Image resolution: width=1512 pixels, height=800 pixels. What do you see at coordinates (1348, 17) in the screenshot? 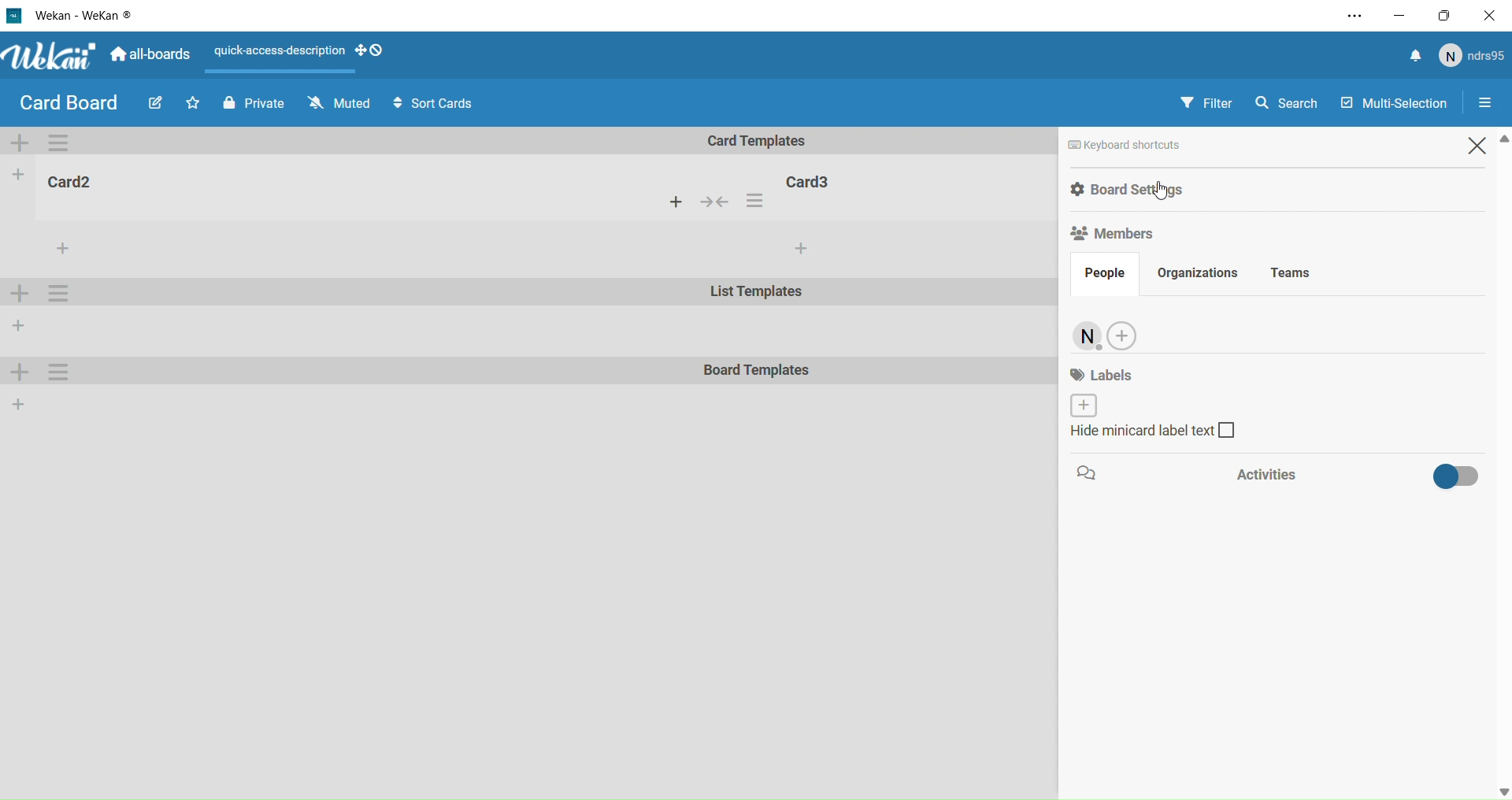
I see `Settings and more` at bounding box center [1348, 17].